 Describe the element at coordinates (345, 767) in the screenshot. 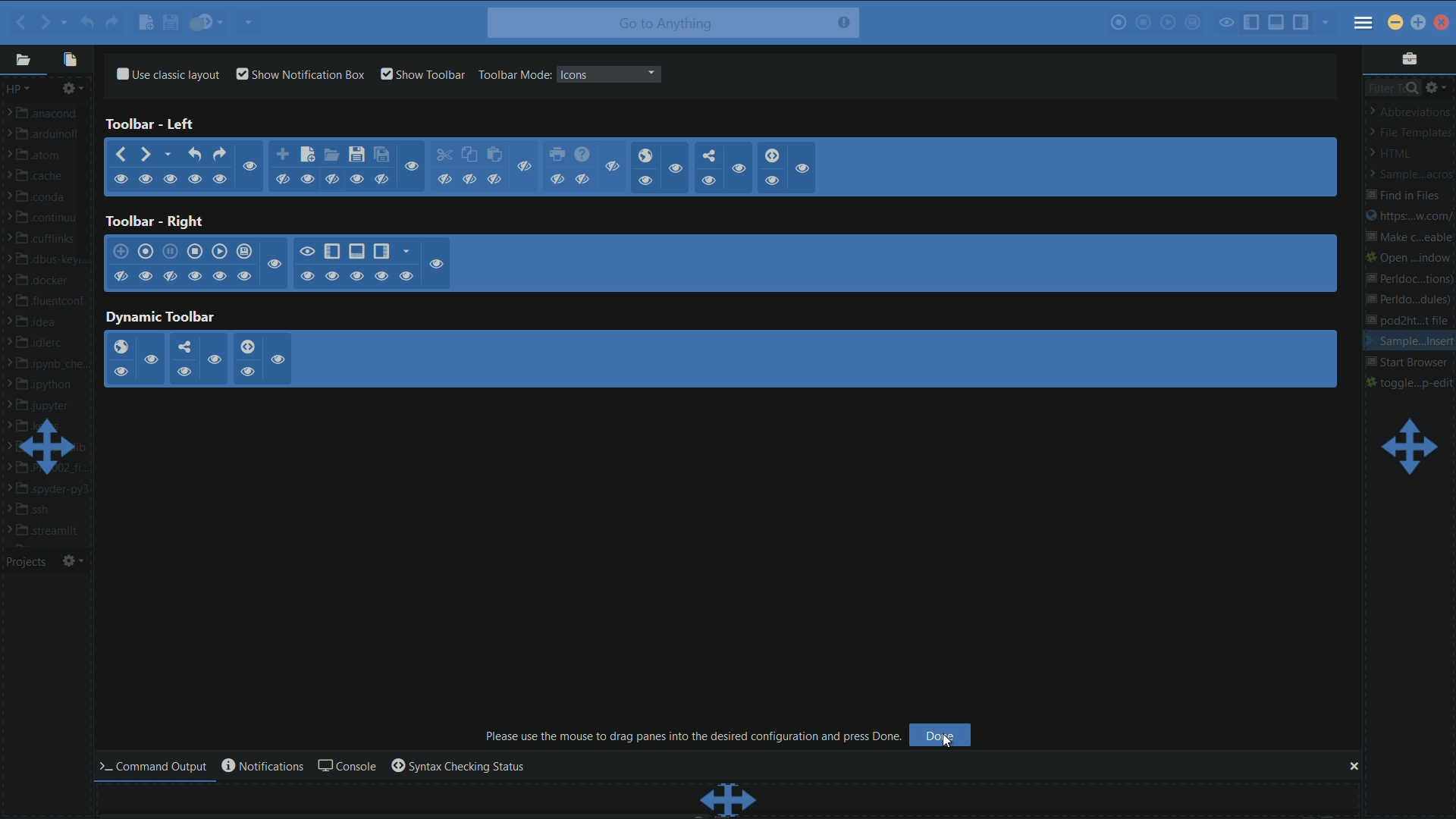

I see `console` at that location.